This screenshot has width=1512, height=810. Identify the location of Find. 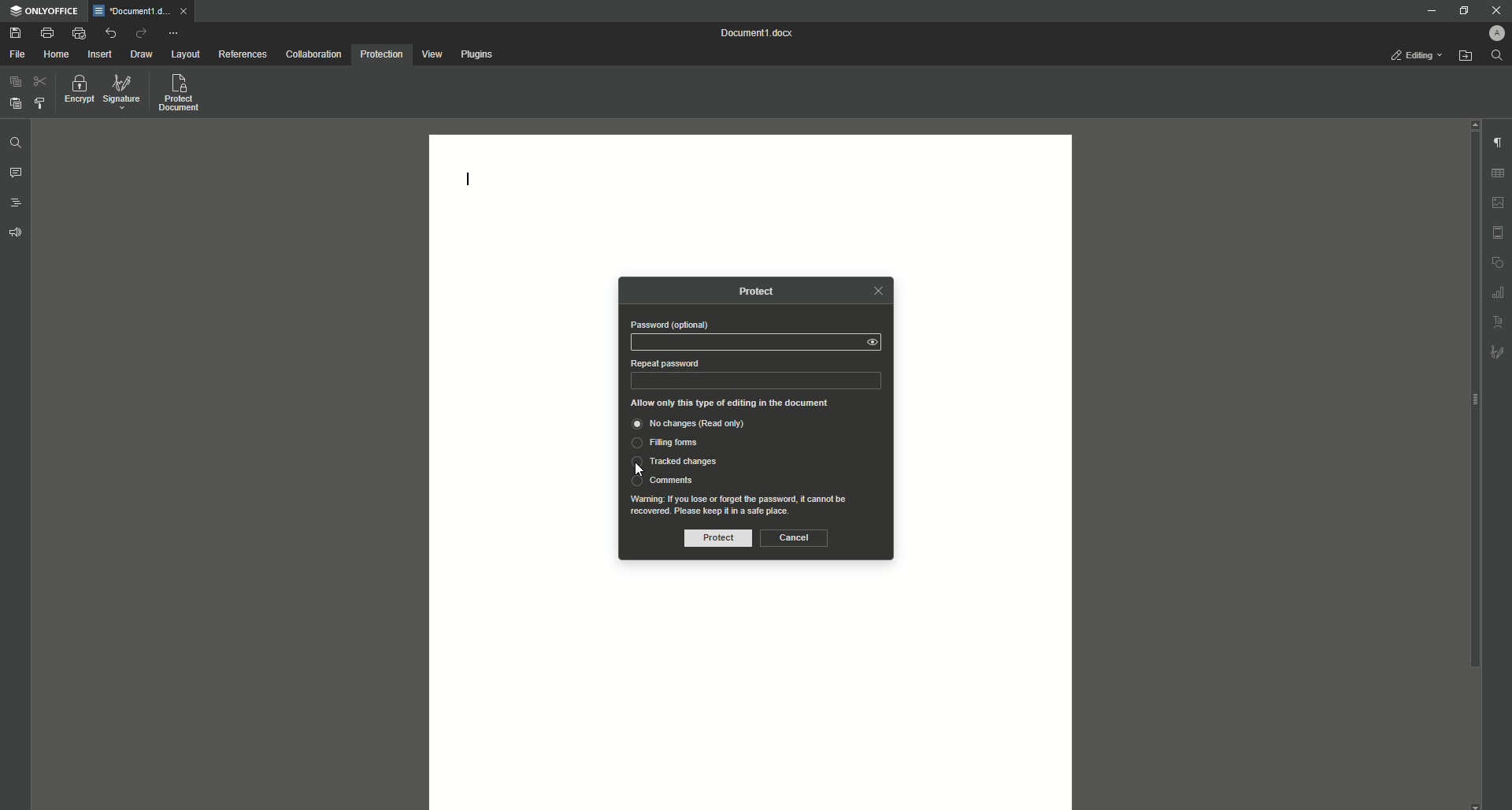
(14, 143).